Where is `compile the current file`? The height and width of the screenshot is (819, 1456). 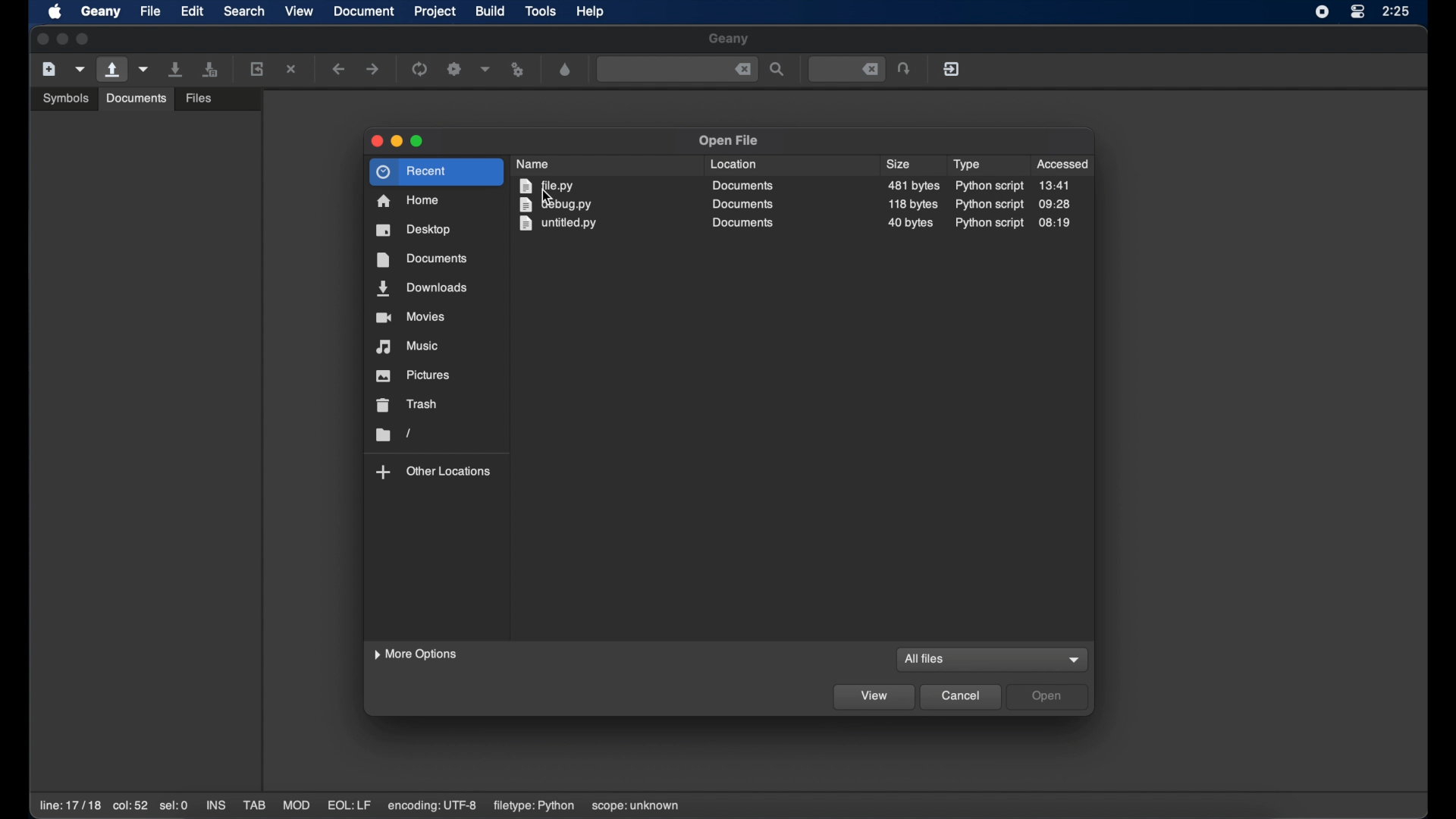 compile the current file is located at coordinates (422, 69).